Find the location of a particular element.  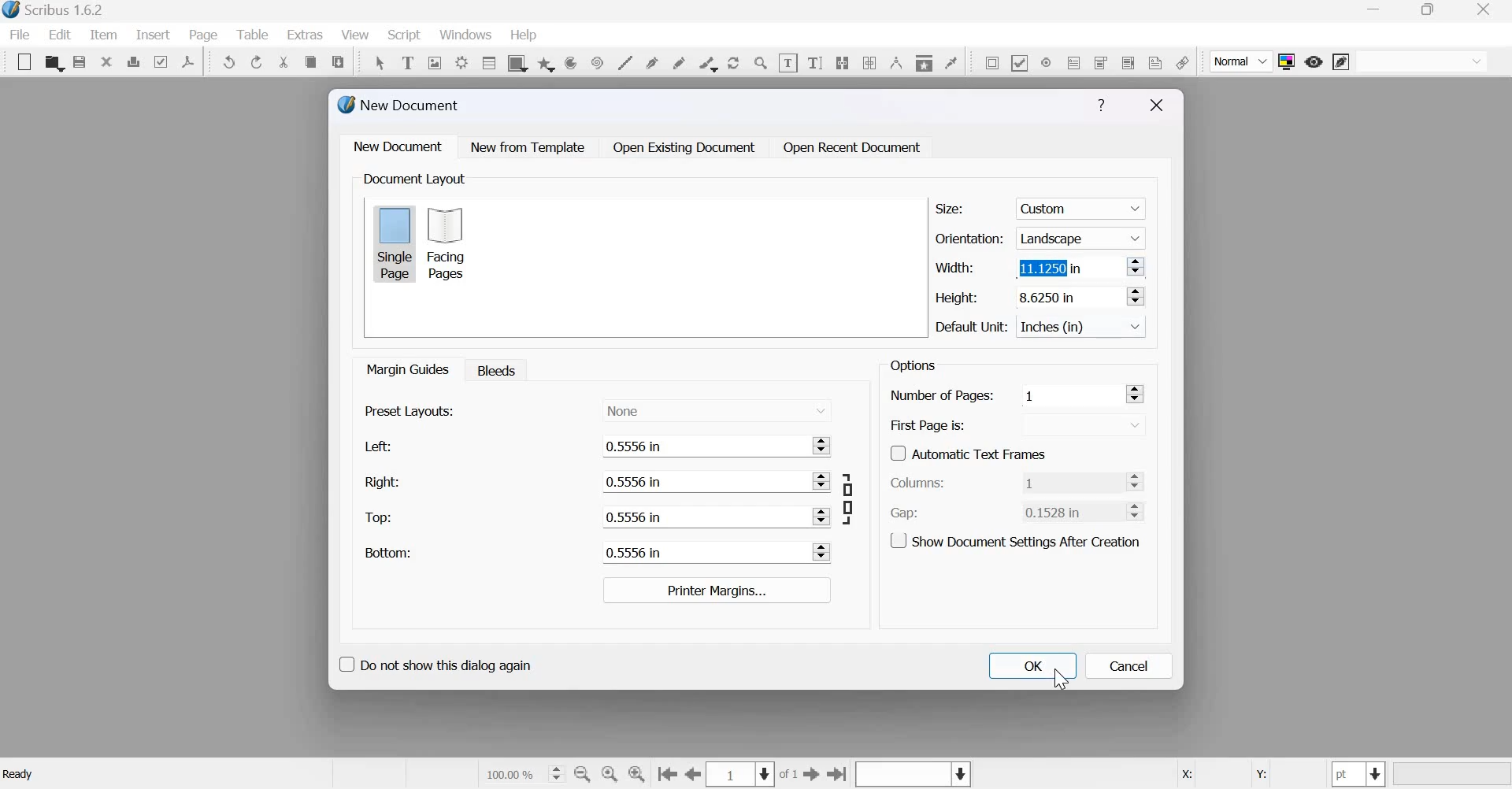

Y: is located at coordinates (1258, 775).